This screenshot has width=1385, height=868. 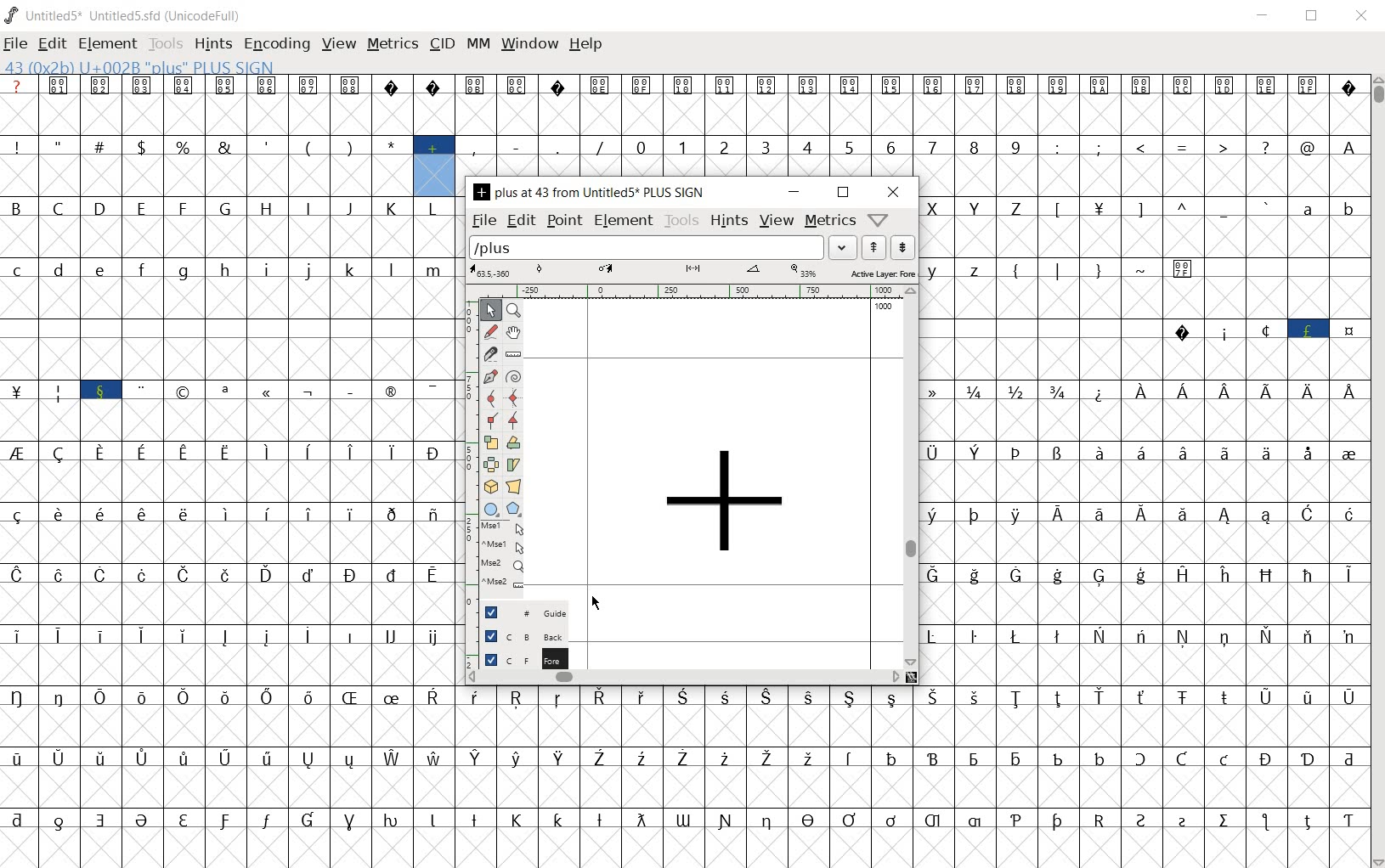 I want to click on mathematical fraction, so click(x=1001, y=410).